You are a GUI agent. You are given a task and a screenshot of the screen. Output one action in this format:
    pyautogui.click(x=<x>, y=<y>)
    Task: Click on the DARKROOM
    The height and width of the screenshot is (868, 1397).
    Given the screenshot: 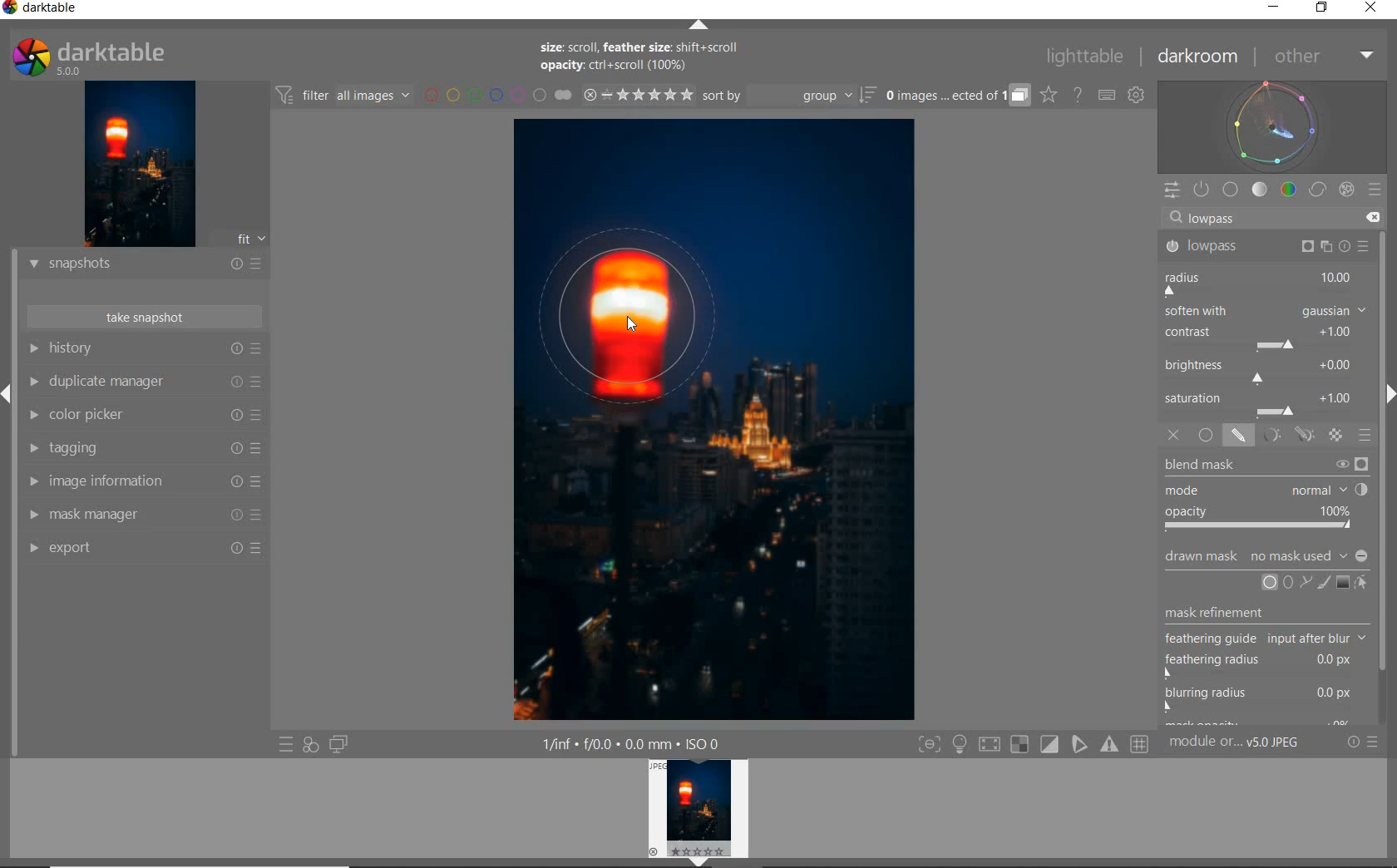 What is the action you would take?
    pyautogui.click(x=1201, y=57)
    